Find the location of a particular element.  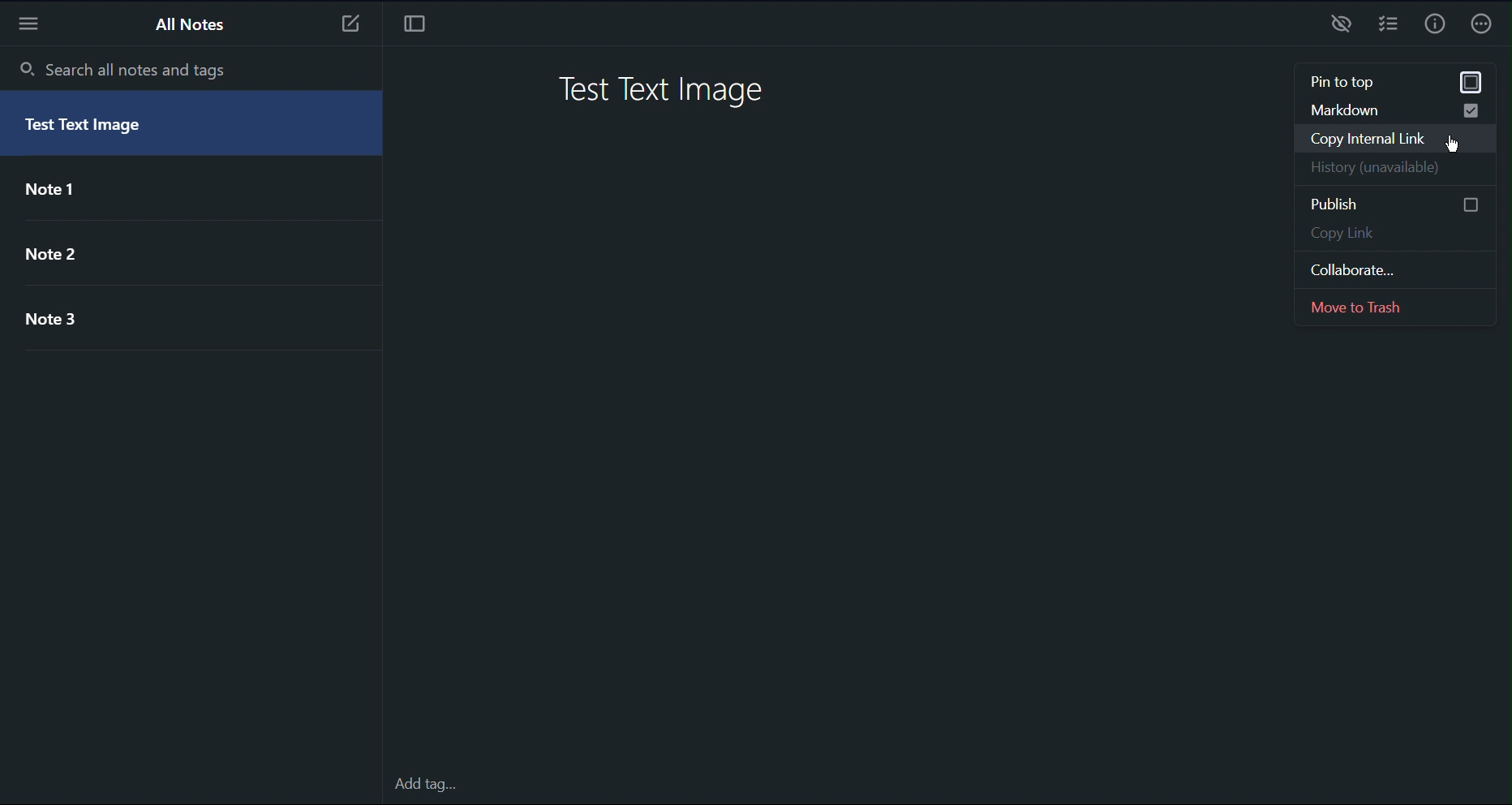

All Notes is located at coordinates (191, 25).